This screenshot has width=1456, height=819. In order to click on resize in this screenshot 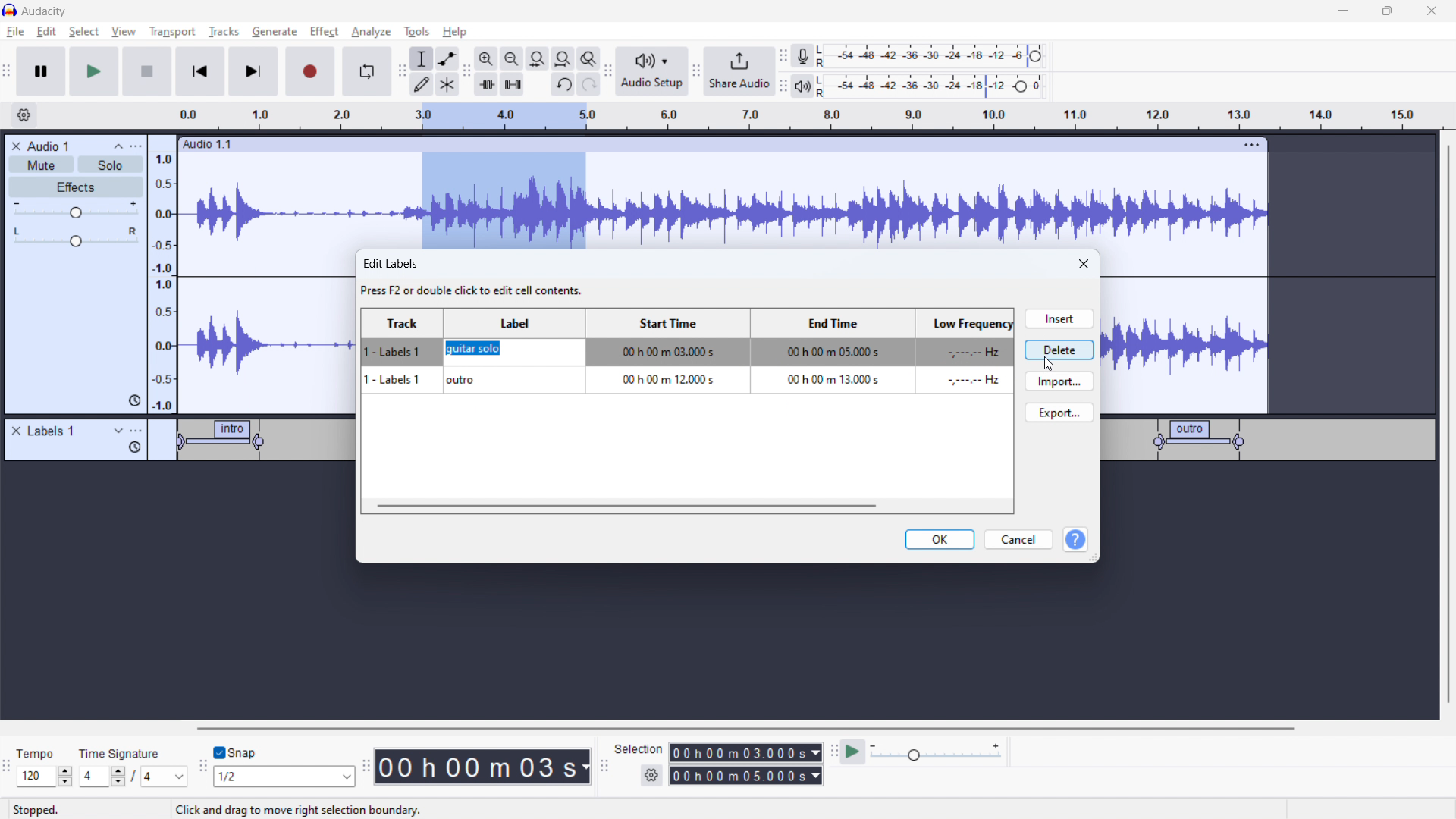, I will do `click(1094, 557)`.